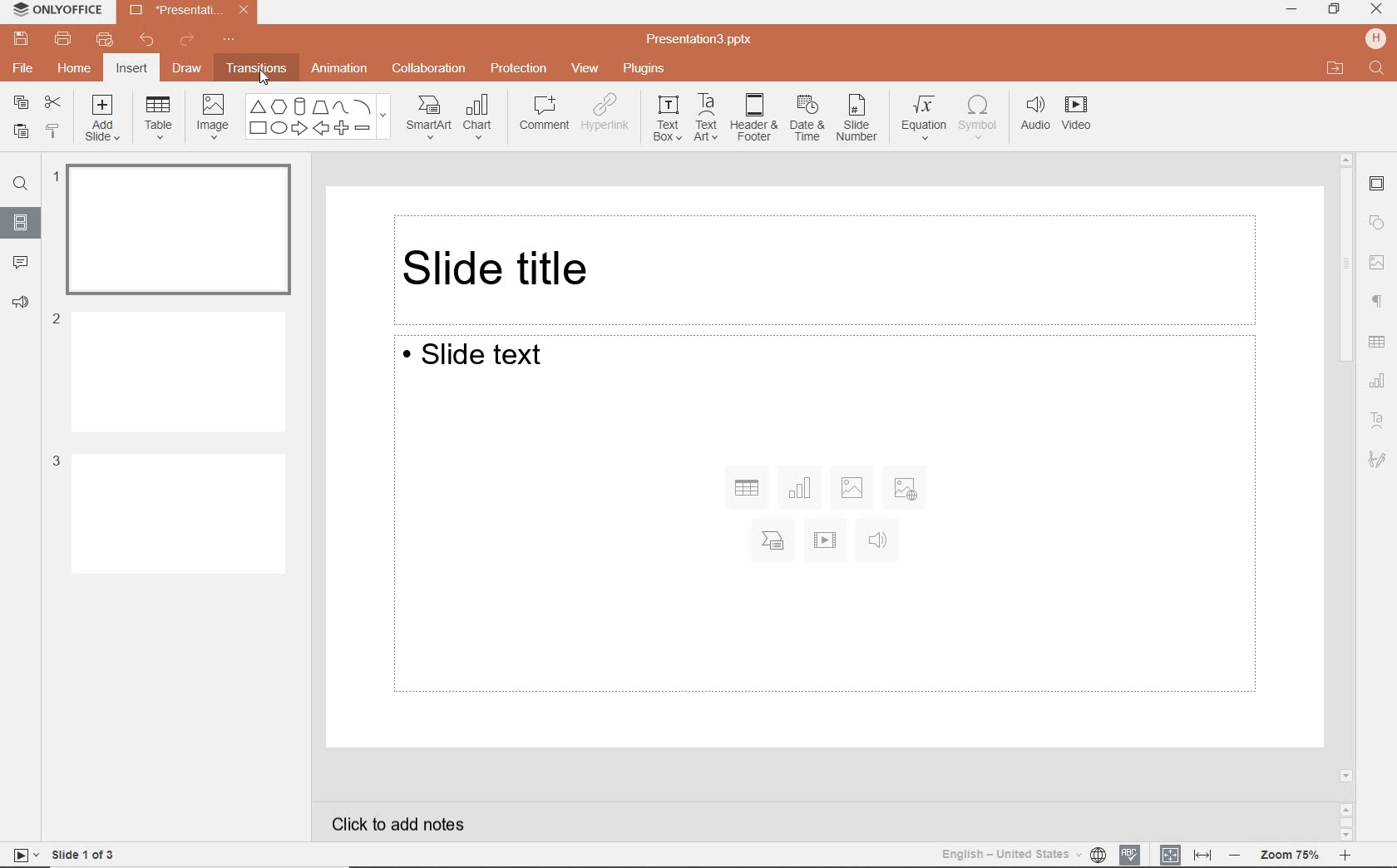 This screenshot has width=1397, height=868. I want to click on image, so click(211, 118).